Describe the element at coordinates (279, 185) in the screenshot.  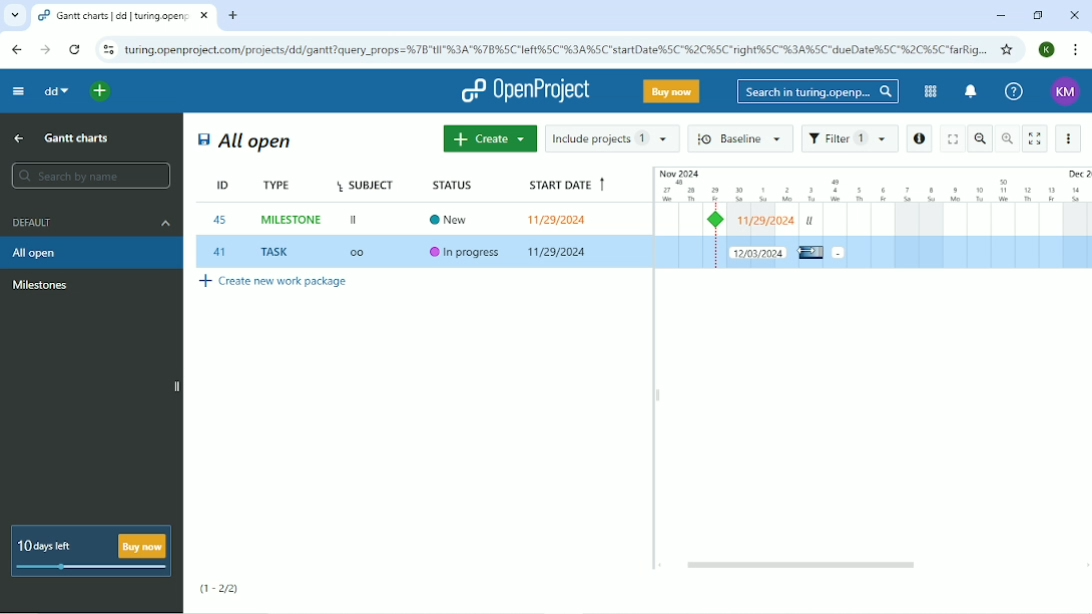
I see `Type` at that location.